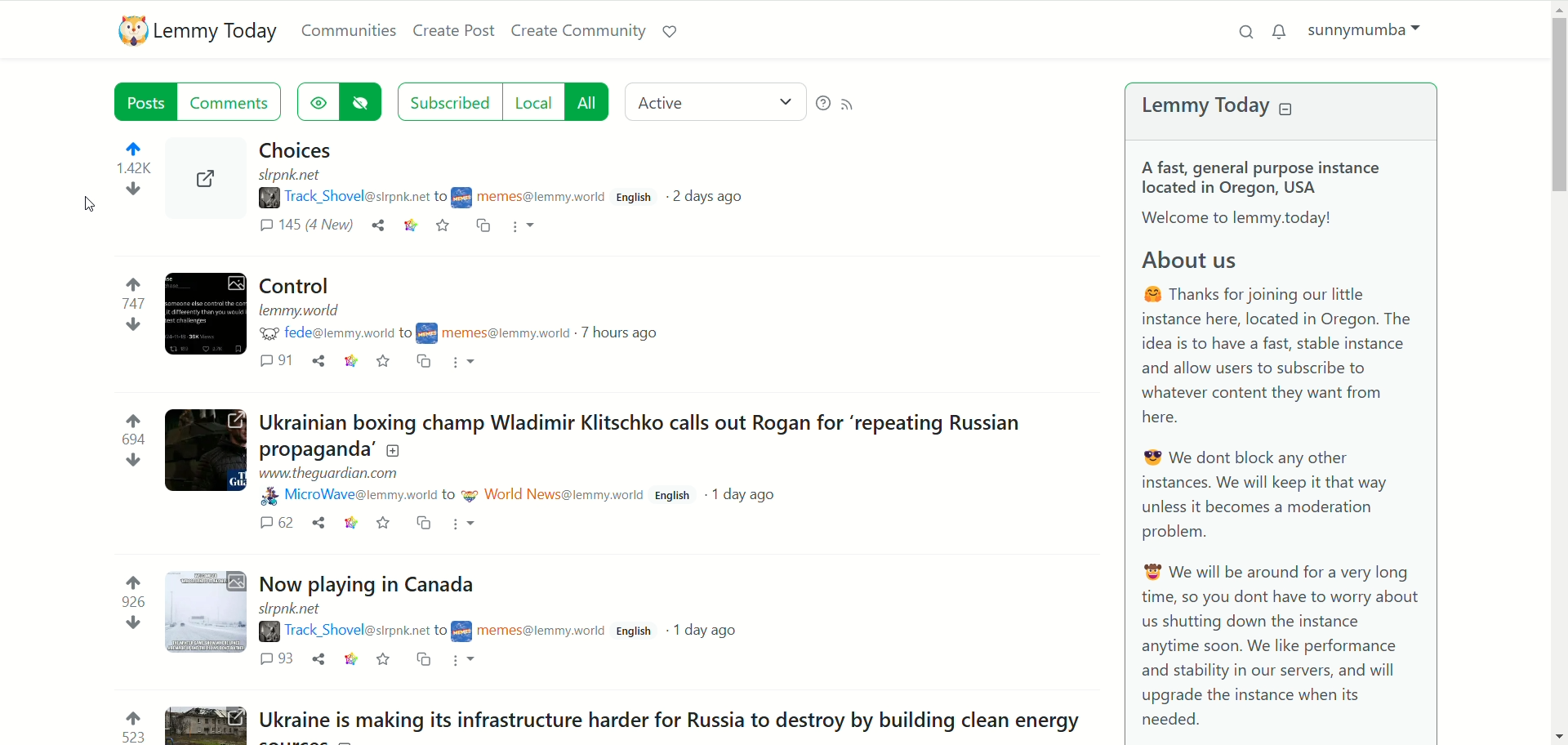  I want to click on poster image, so click(462, 196).